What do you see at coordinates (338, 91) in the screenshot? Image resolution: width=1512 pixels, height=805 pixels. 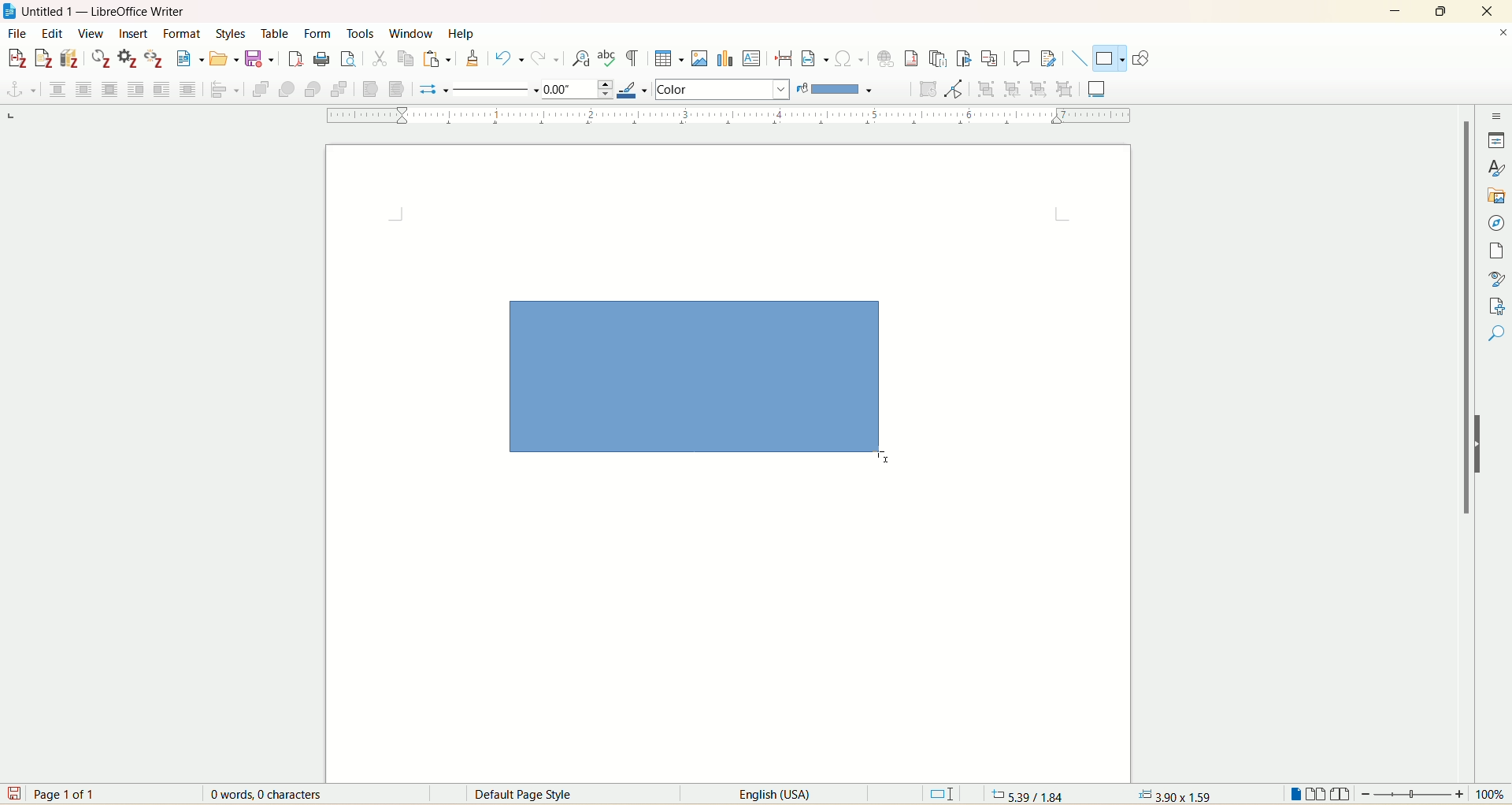 I see `send to back` at bounding box center [338, 91].